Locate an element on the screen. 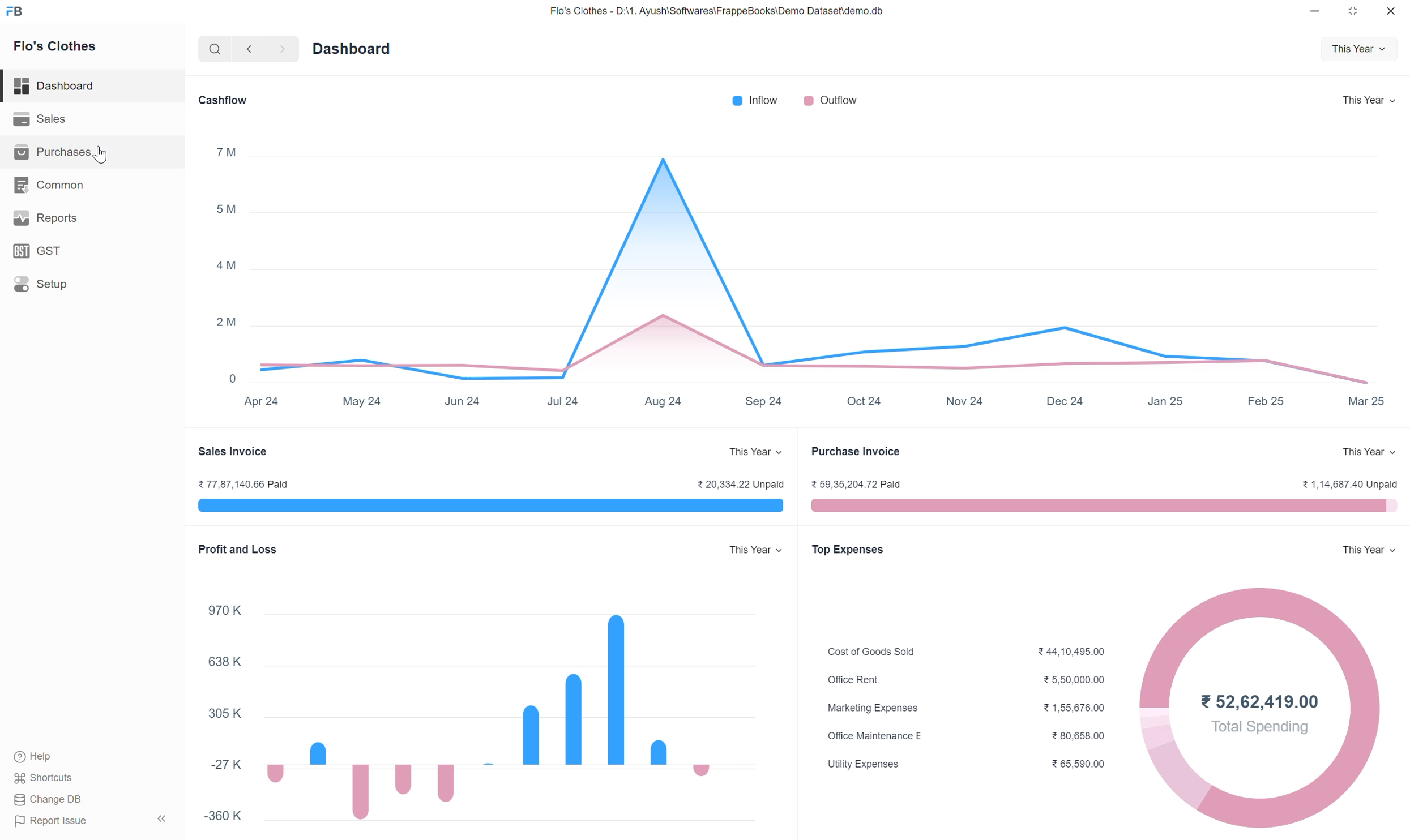  sep 24 is located at coordinates (765, 402).